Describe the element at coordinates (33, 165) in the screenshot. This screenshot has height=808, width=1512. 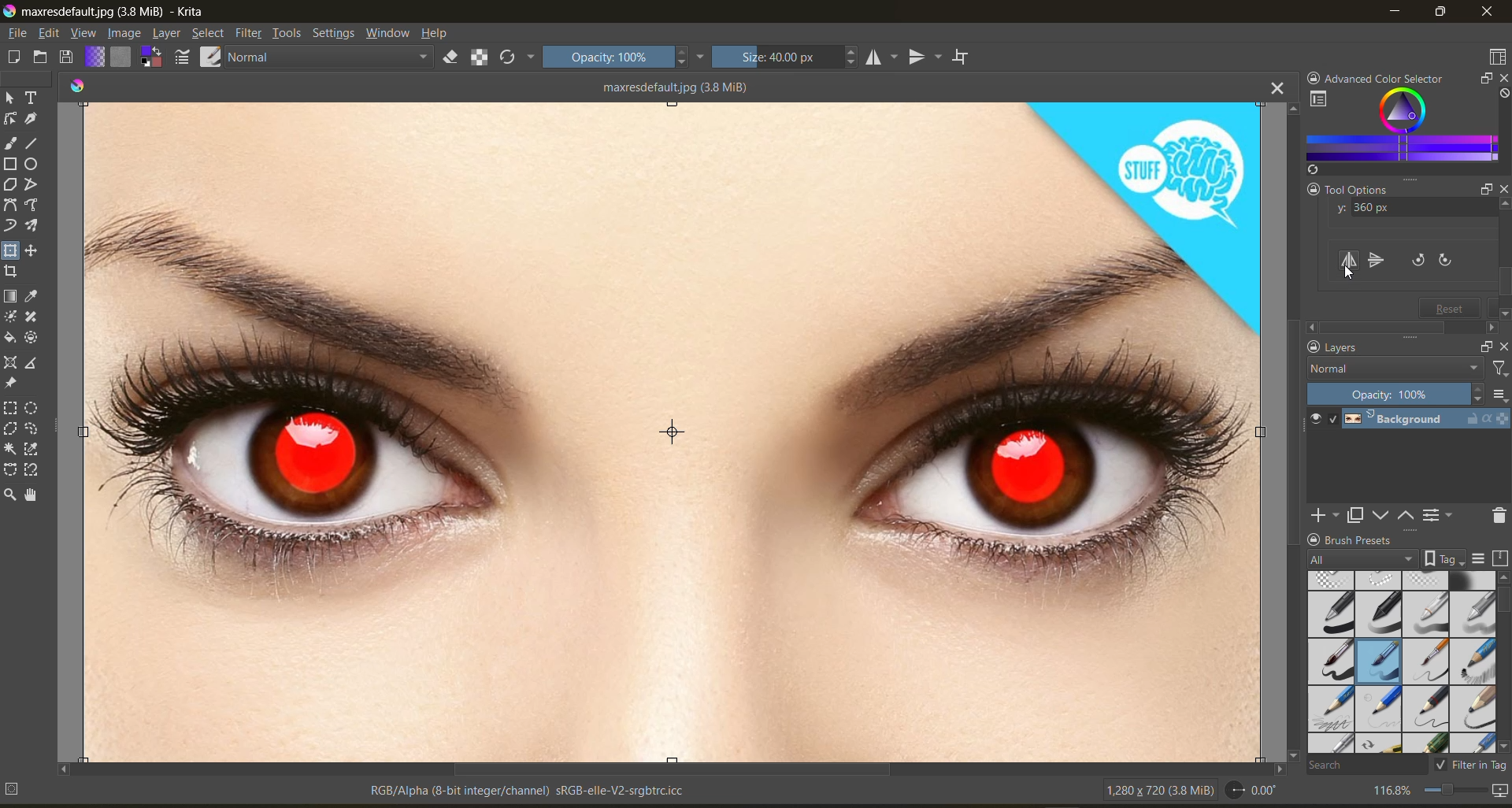
I see `tool` at that location.